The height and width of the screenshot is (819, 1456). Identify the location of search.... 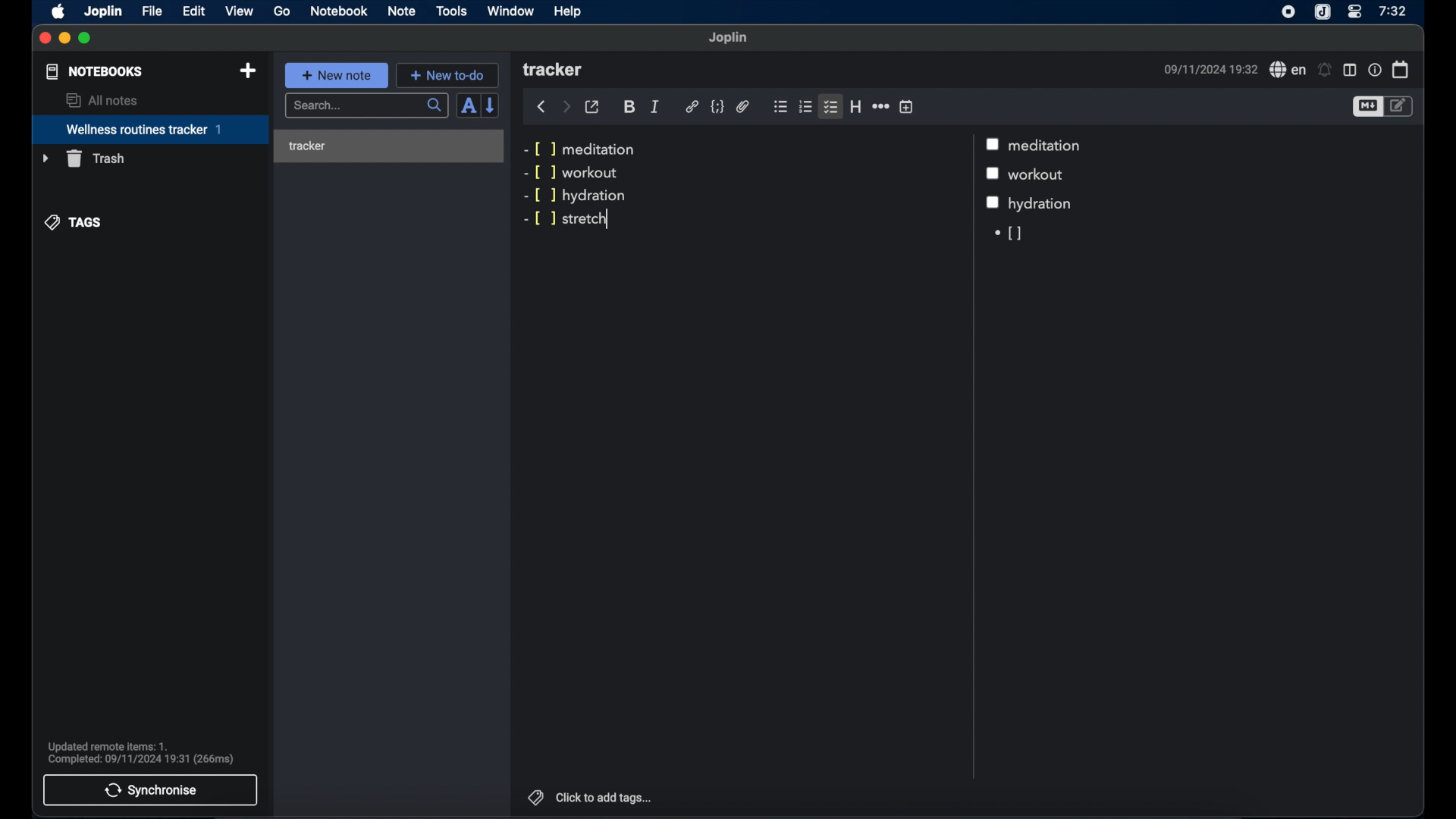
(368, 106).